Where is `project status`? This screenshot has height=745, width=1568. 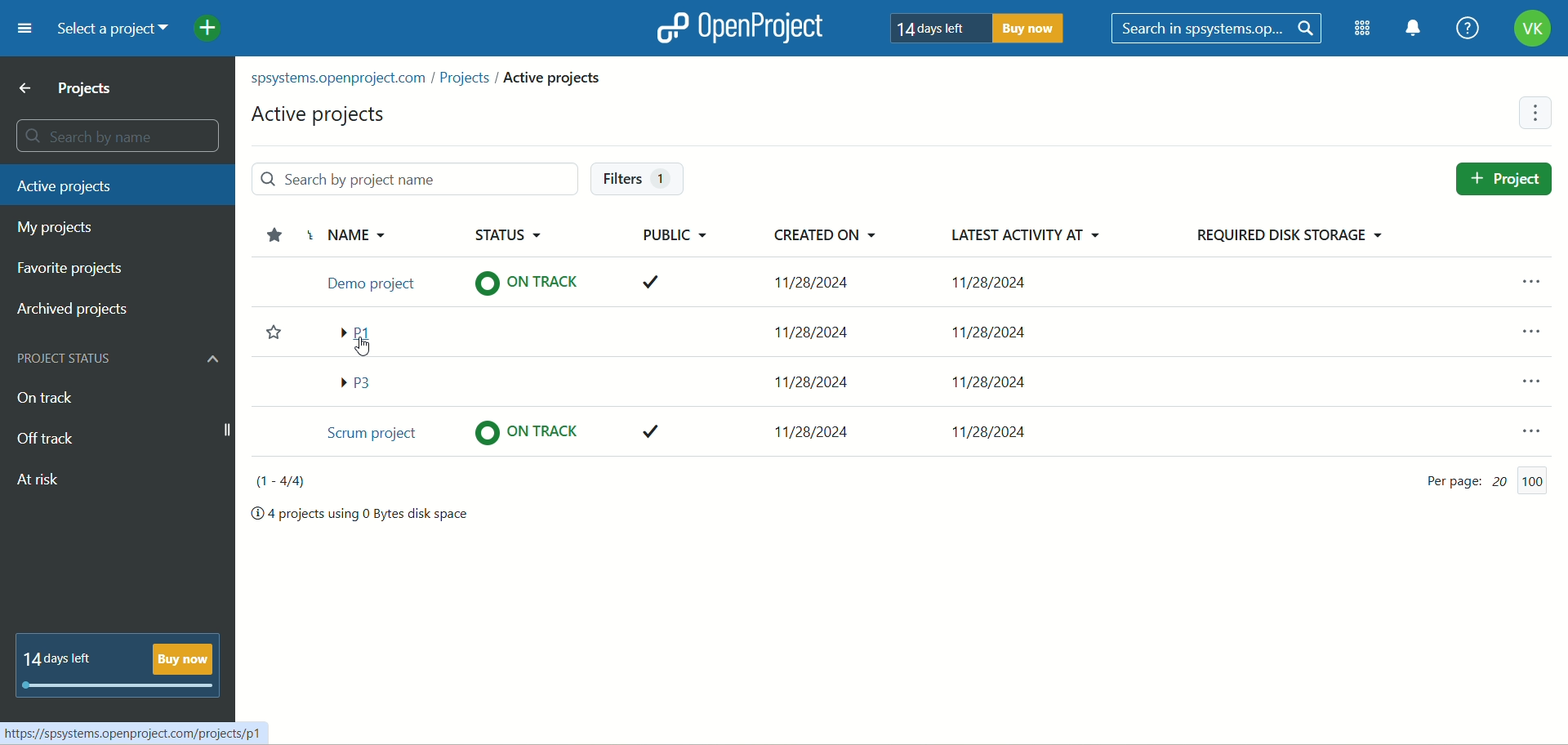
project status is located at coordinates (123, 361).